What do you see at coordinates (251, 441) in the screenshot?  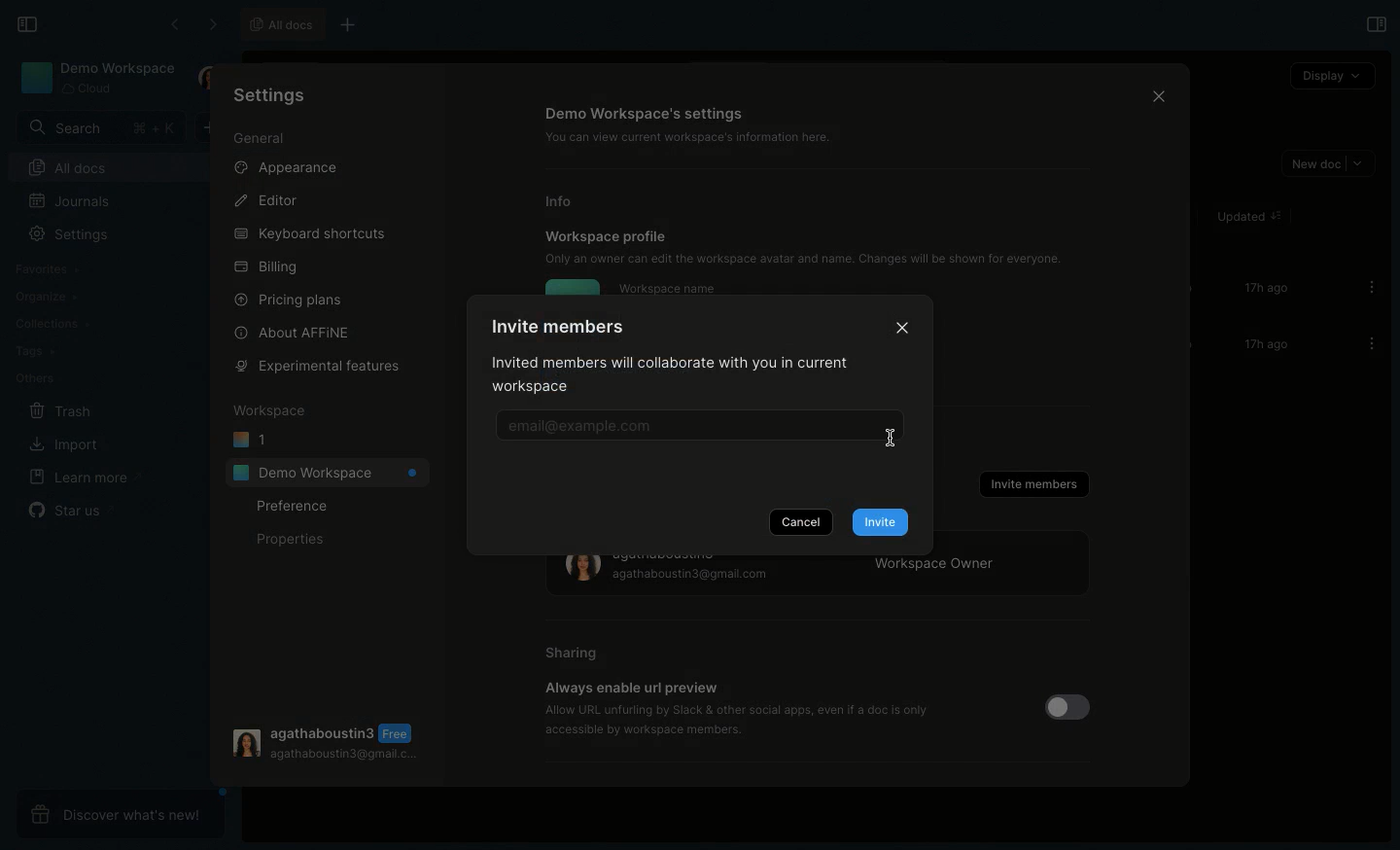 I see `1` at bounding box center [251, 441].